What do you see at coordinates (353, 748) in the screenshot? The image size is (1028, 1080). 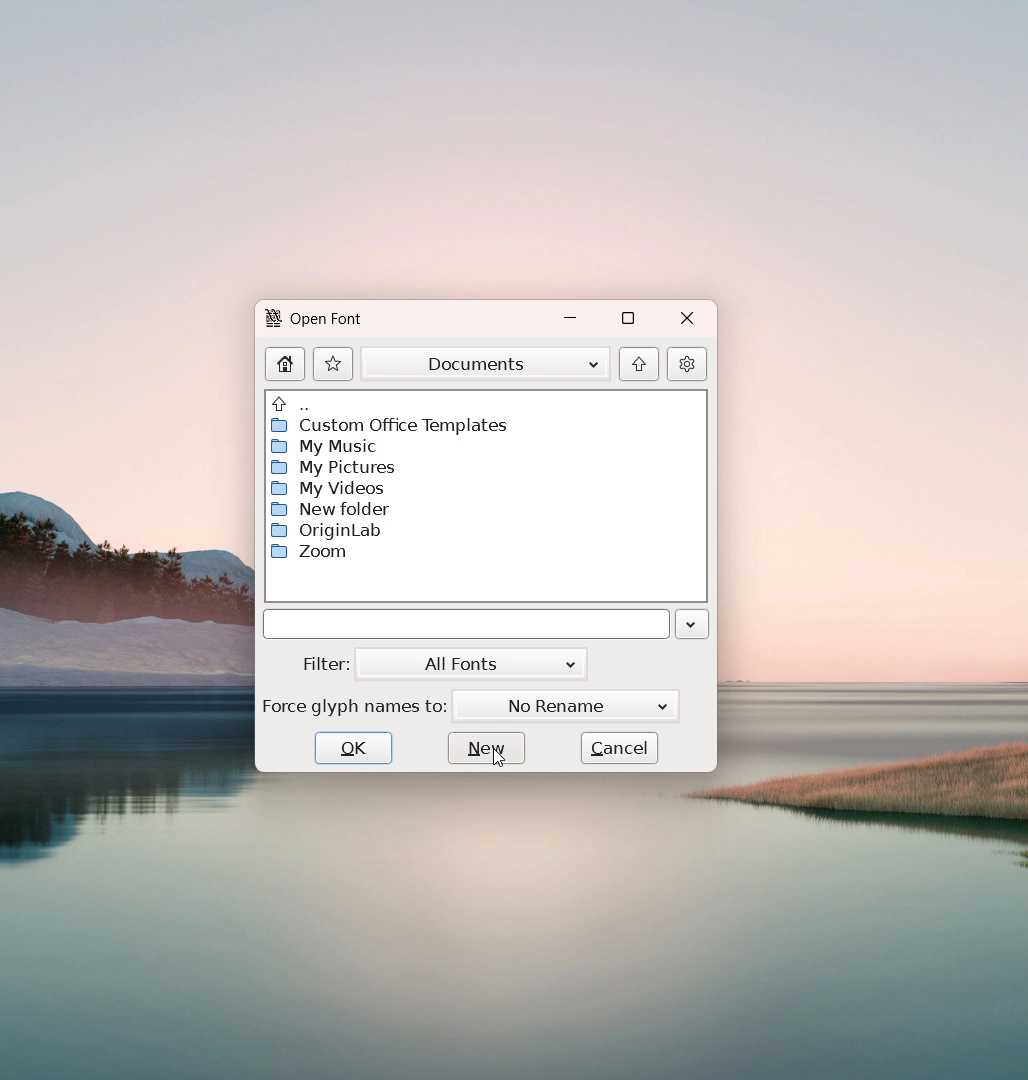 I see `Ok` at bounding box center [353, 748].